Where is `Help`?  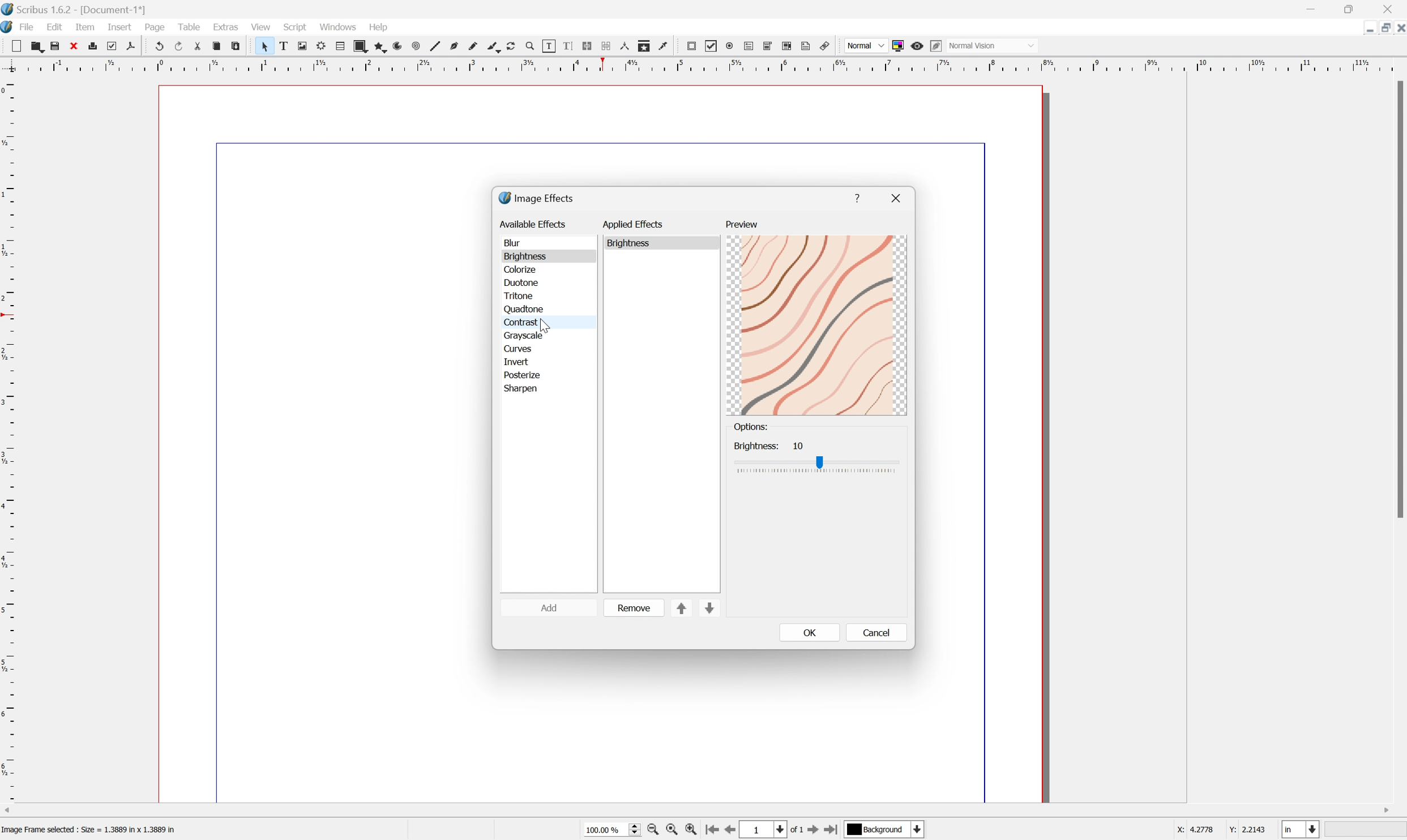 Help is located at coordinates (378, 27).